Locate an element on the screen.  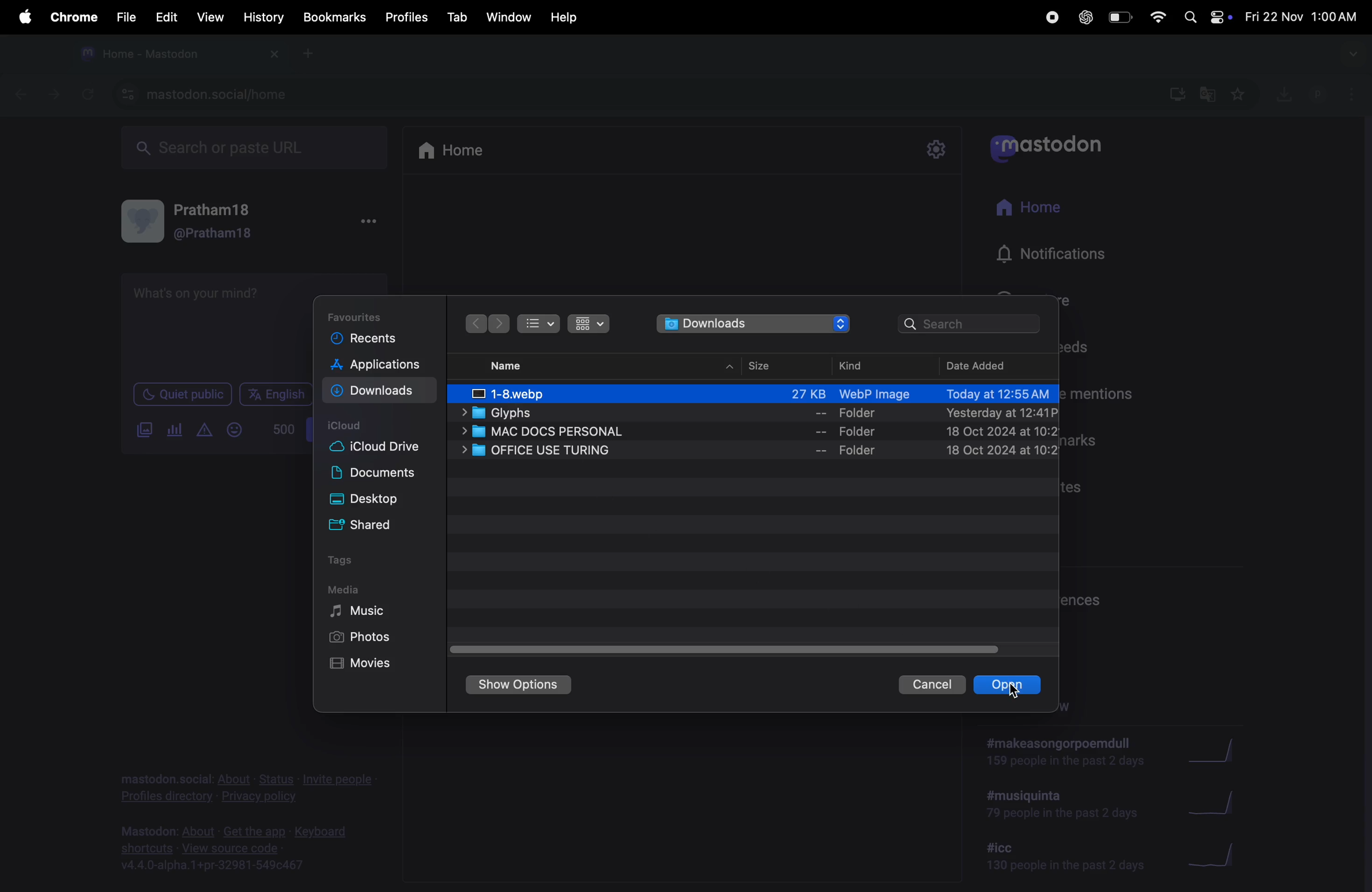
display picture is located at coordinates (142, 221).